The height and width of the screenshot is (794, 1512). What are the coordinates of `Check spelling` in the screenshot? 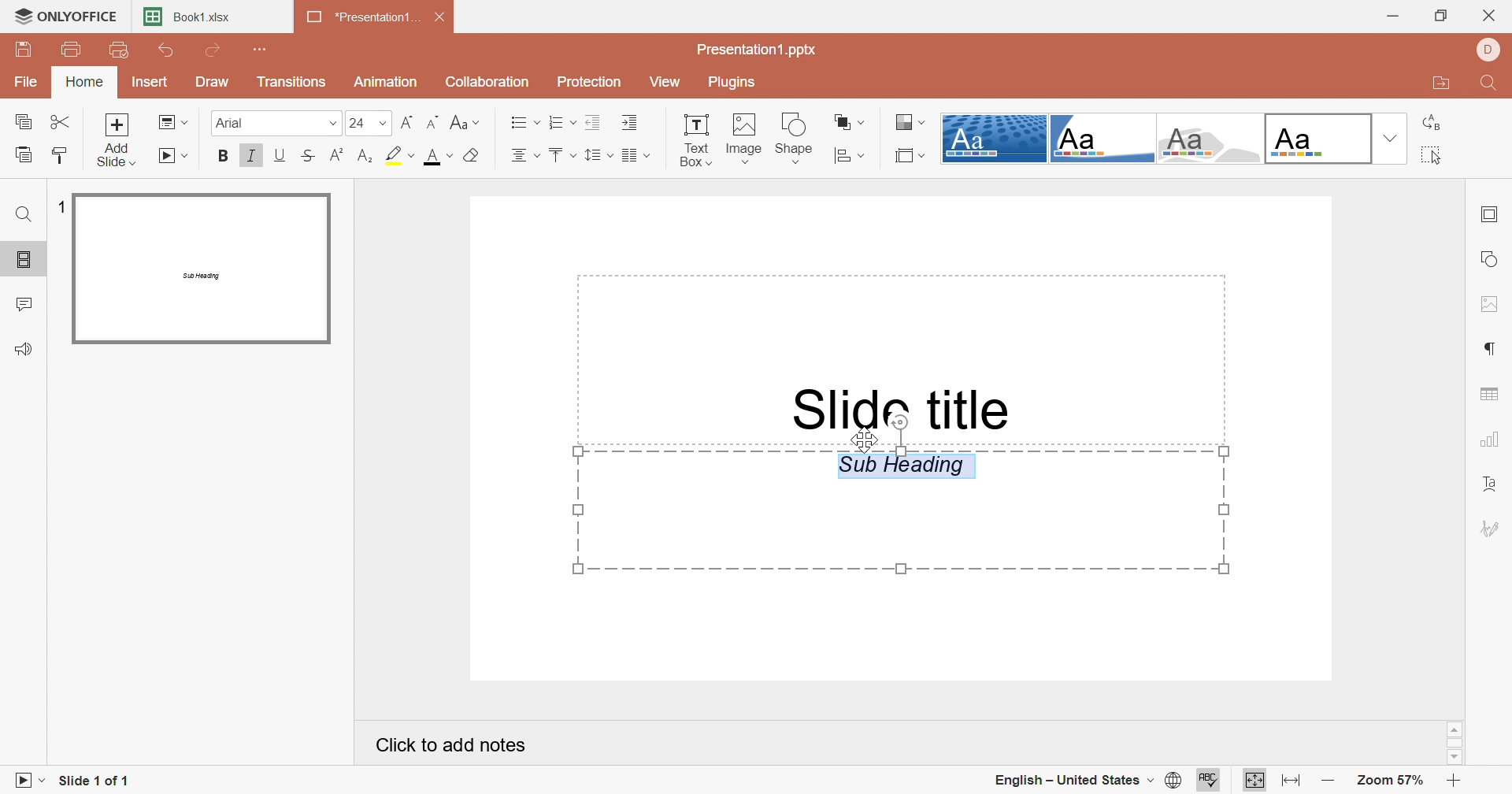 It's located at (1208, 779).